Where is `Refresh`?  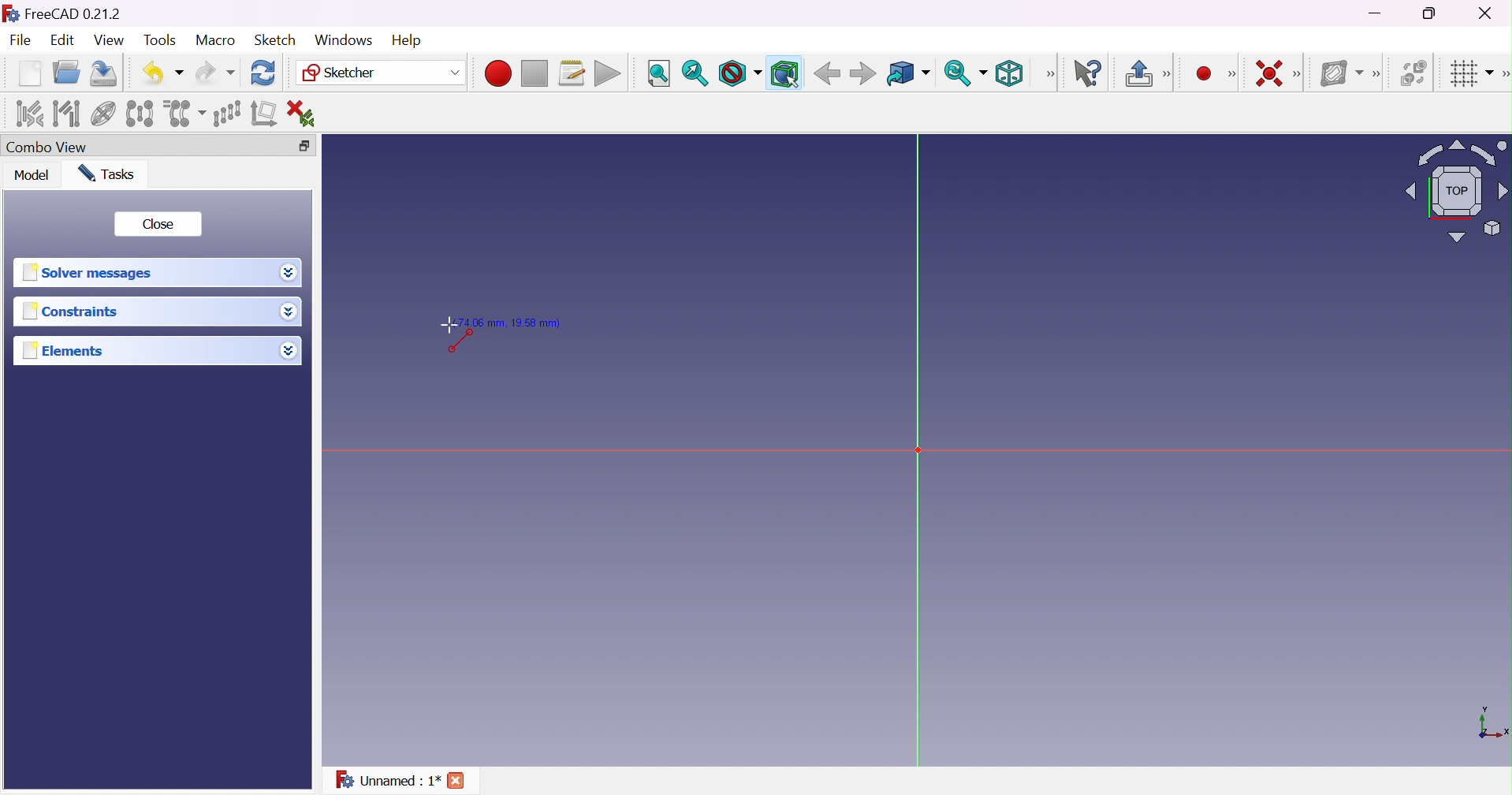
Refresh is located at coordinates (264, 73).